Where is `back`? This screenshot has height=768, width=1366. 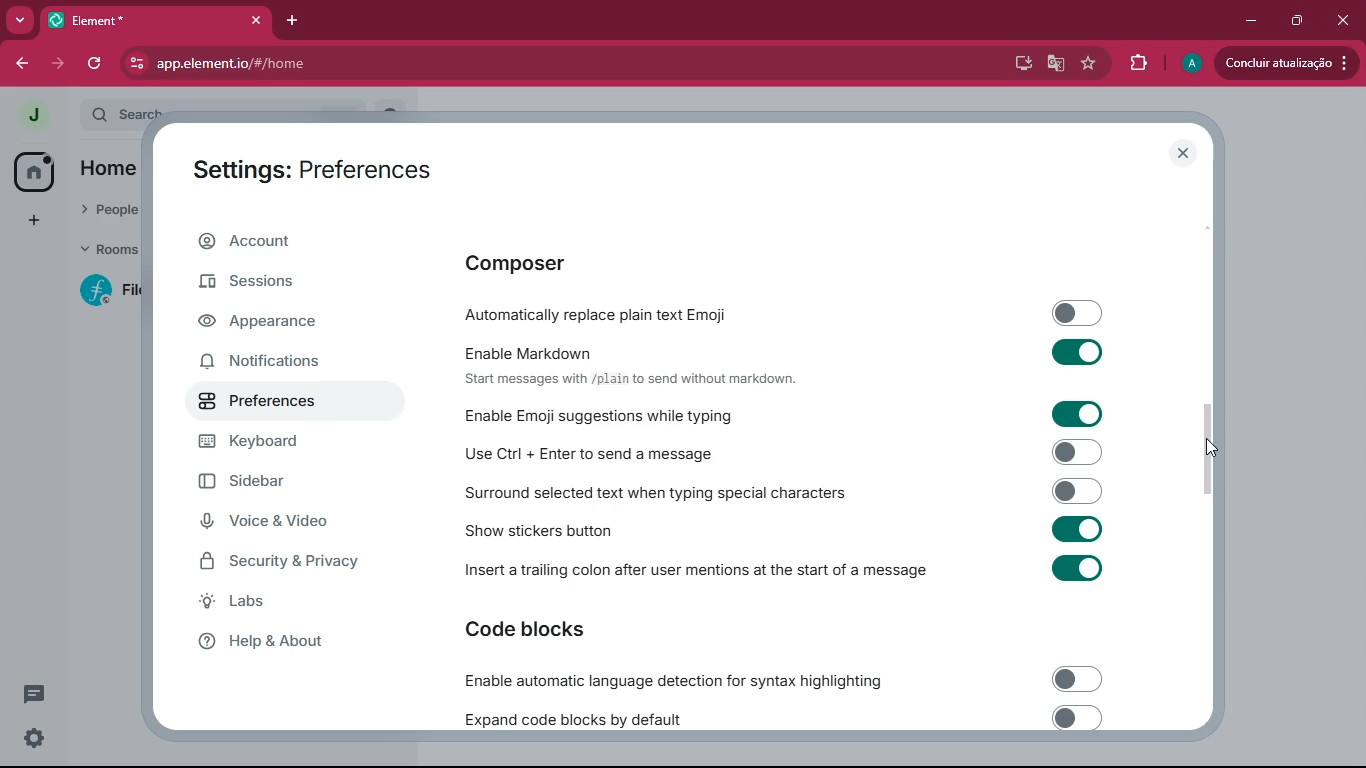 back is located at coordinates (23, 61).